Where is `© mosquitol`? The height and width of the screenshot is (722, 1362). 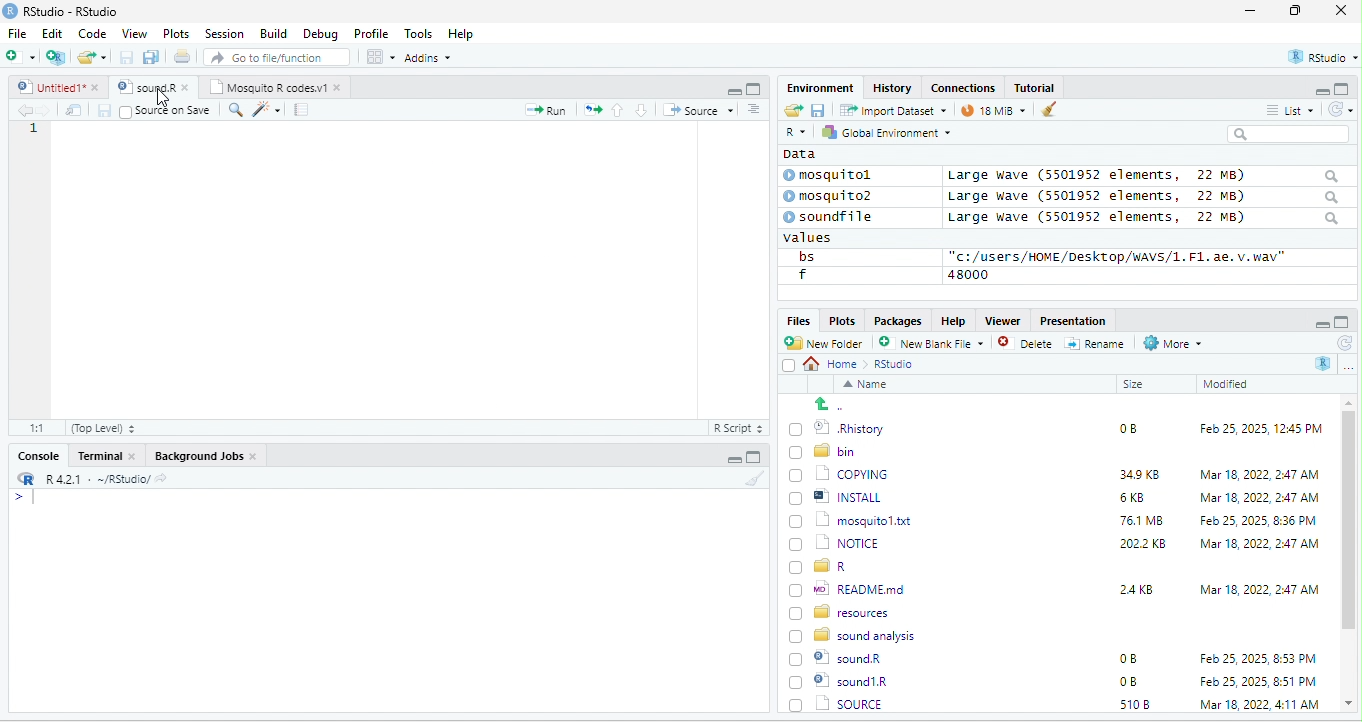 © mosquitol is located at coordinates (842, 175).